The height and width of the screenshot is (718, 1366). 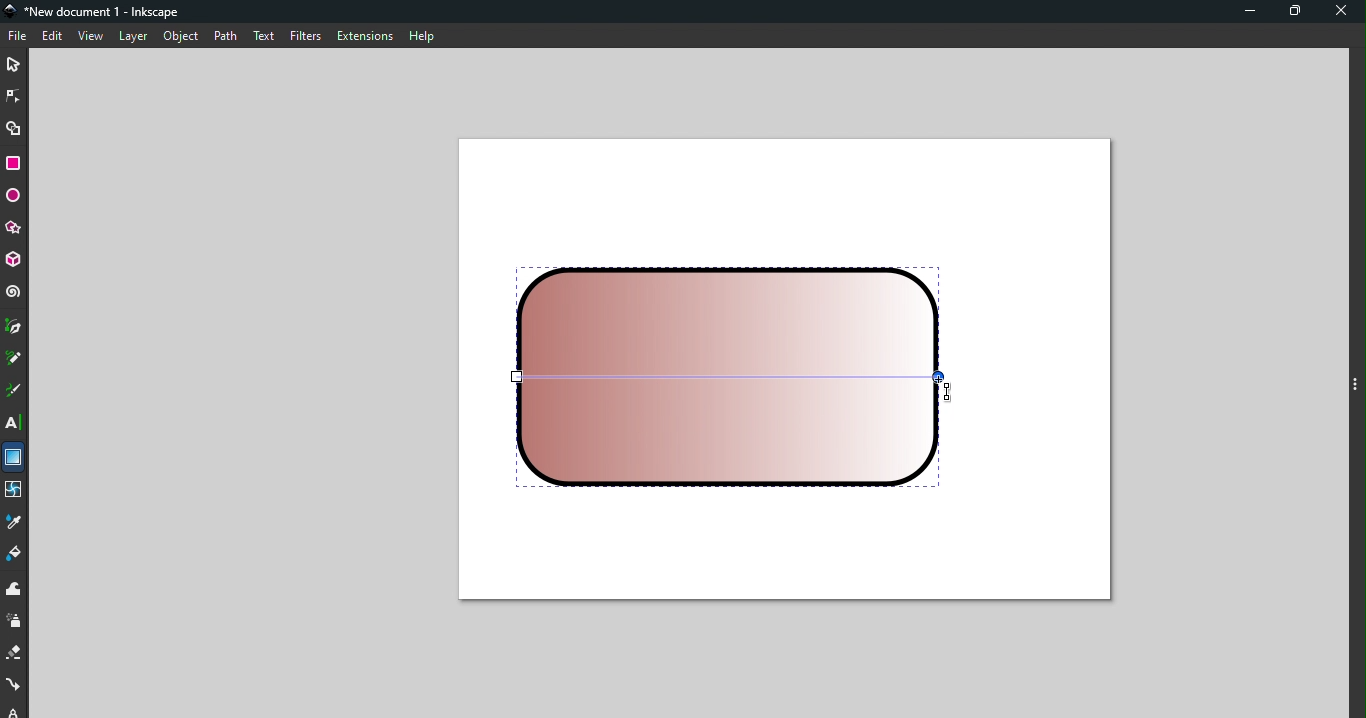 I want to click on Pen tool, so click(x=14, y=328).